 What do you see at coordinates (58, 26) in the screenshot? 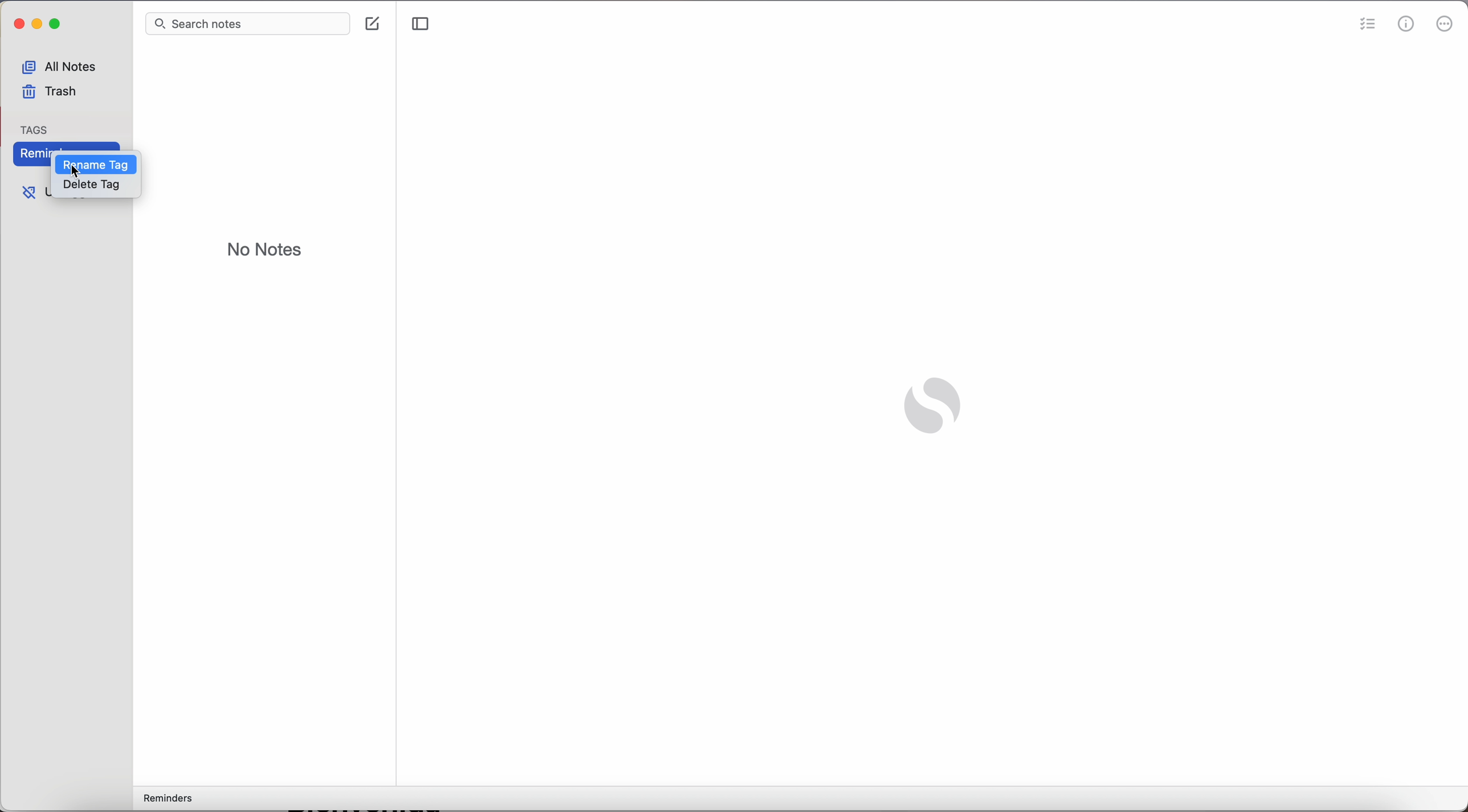
I see `maximize Simplenote` at bounding box center [58, 26].